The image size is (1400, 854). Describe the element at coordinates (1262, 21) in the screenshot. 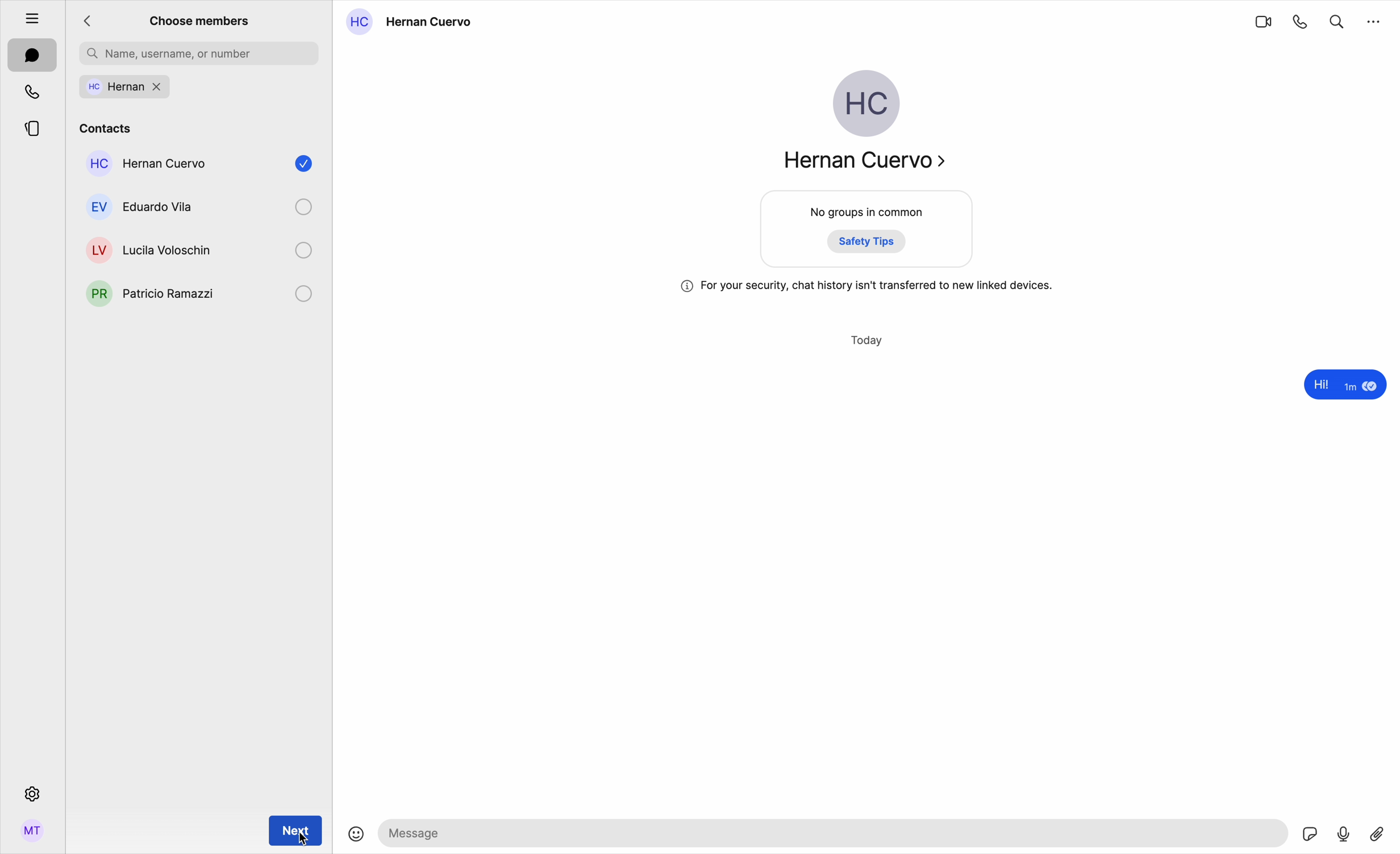

I see `videocall` at that location.